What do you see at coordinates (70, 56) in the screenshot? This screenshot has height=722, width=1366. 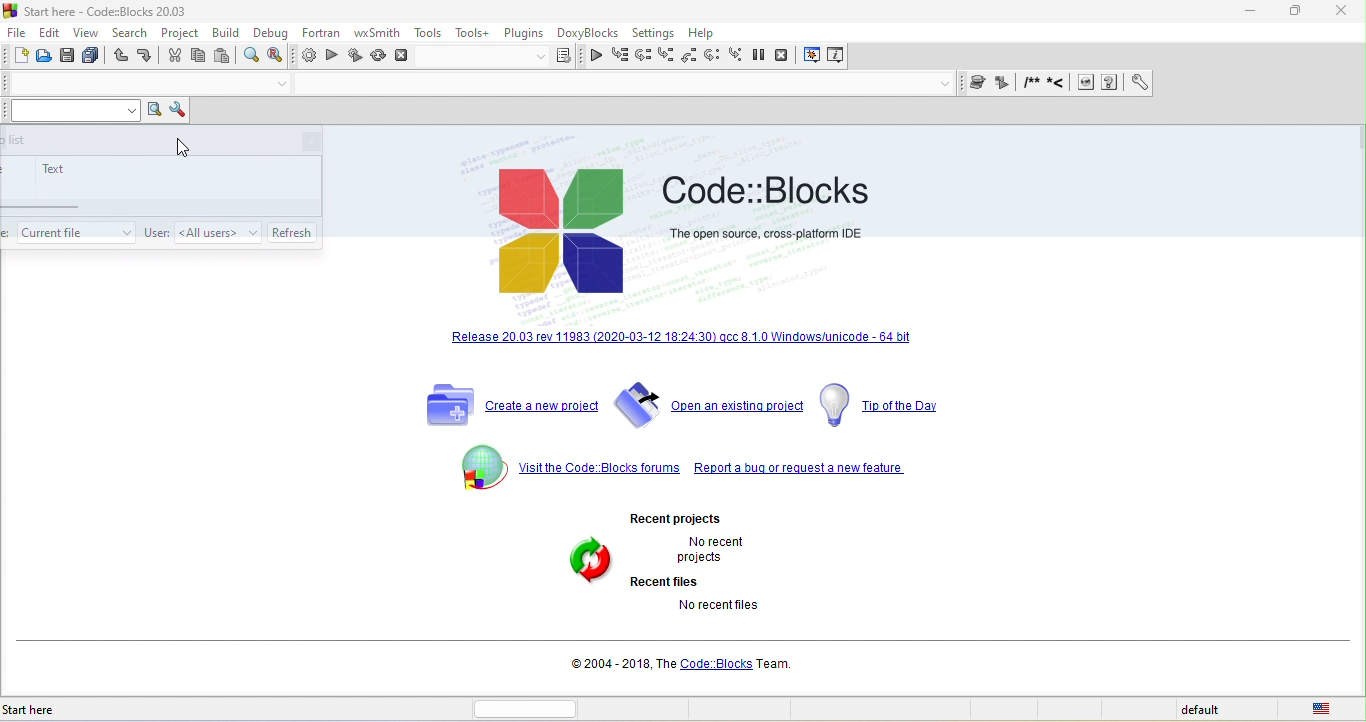 I see `save` at bounding box center [70, 56].